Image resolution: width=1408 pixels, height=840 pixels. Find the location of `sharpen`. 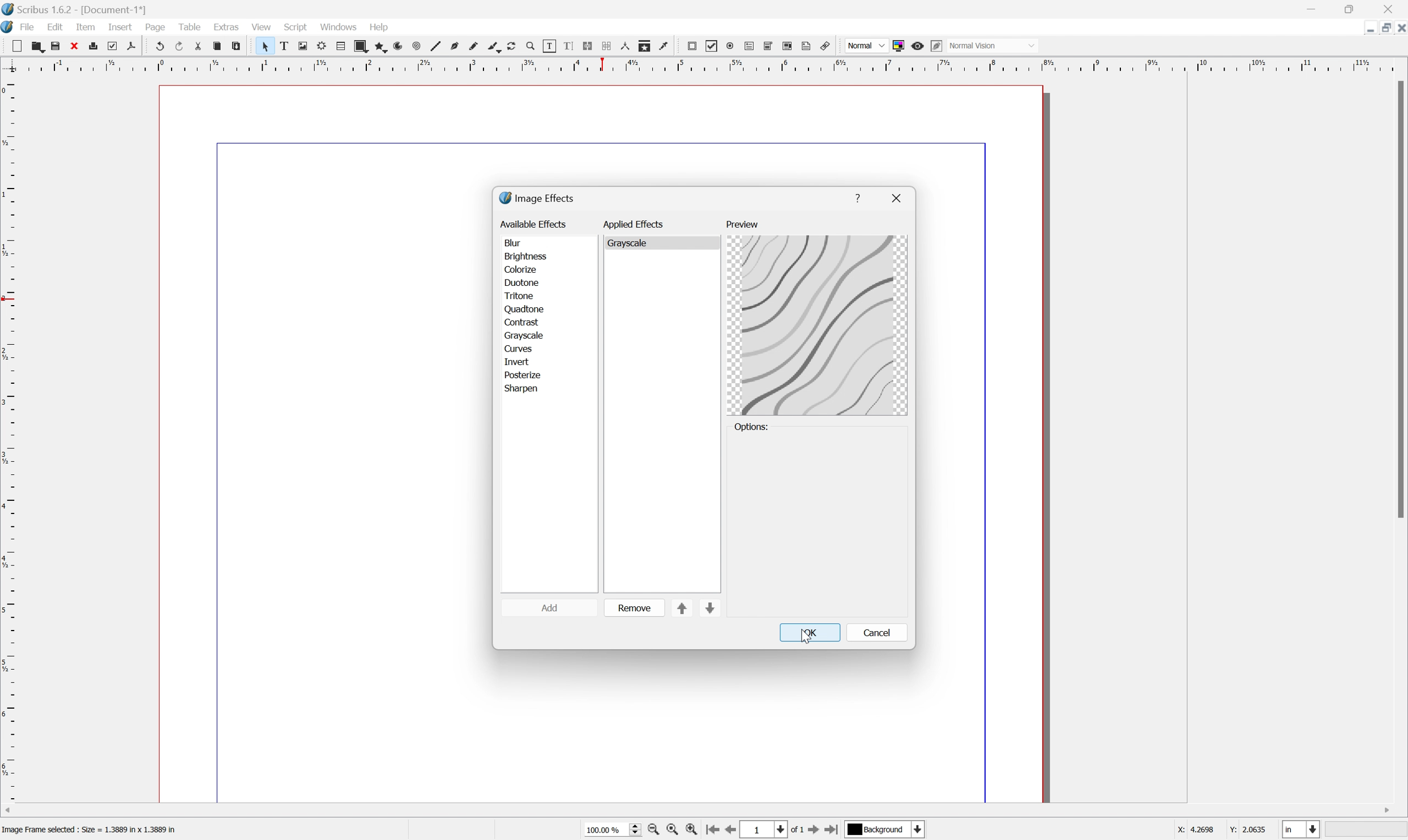

sharpen is located at coordinates (523, 389).